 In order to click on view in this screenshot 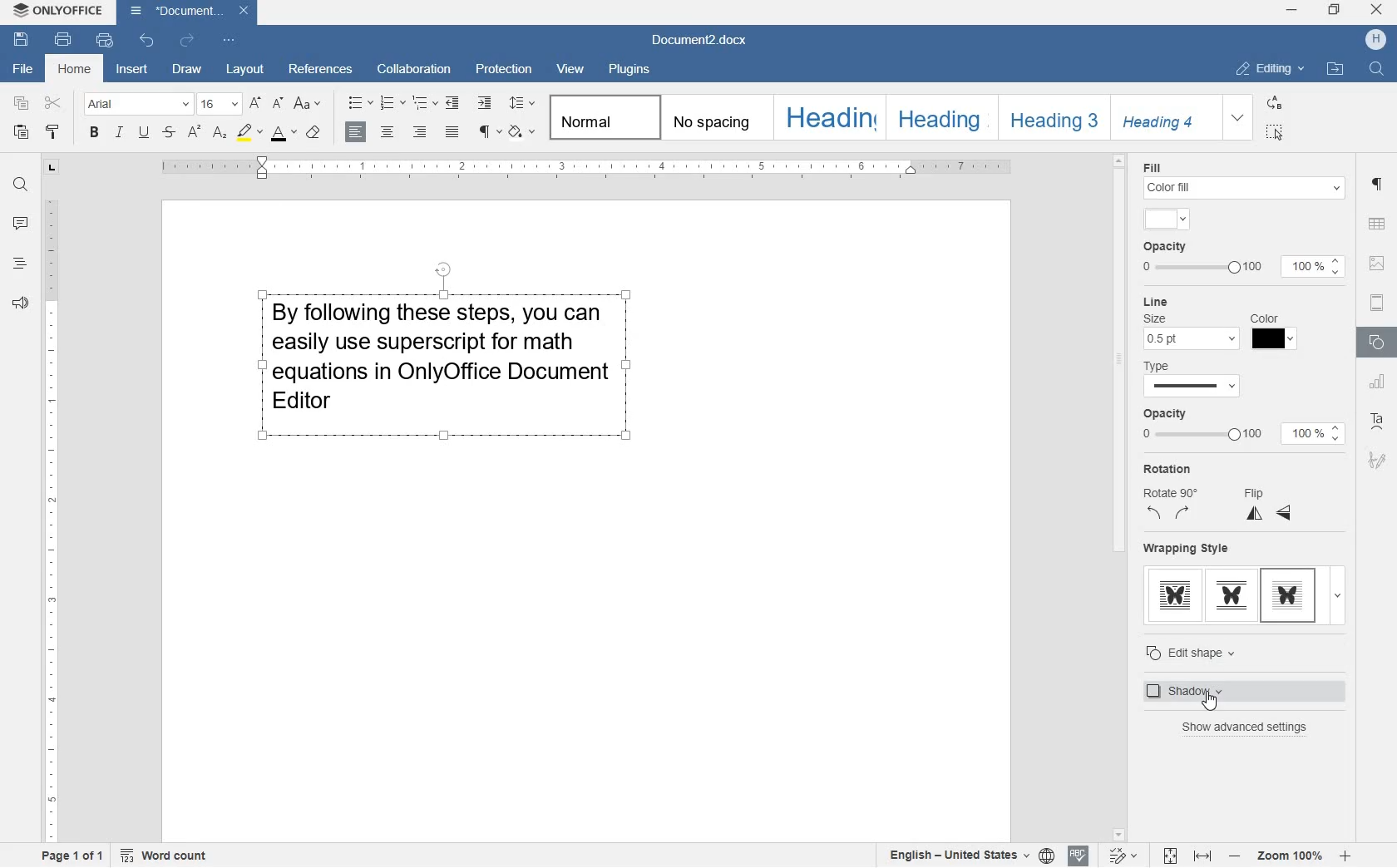, I will do `click(571, 70)`.